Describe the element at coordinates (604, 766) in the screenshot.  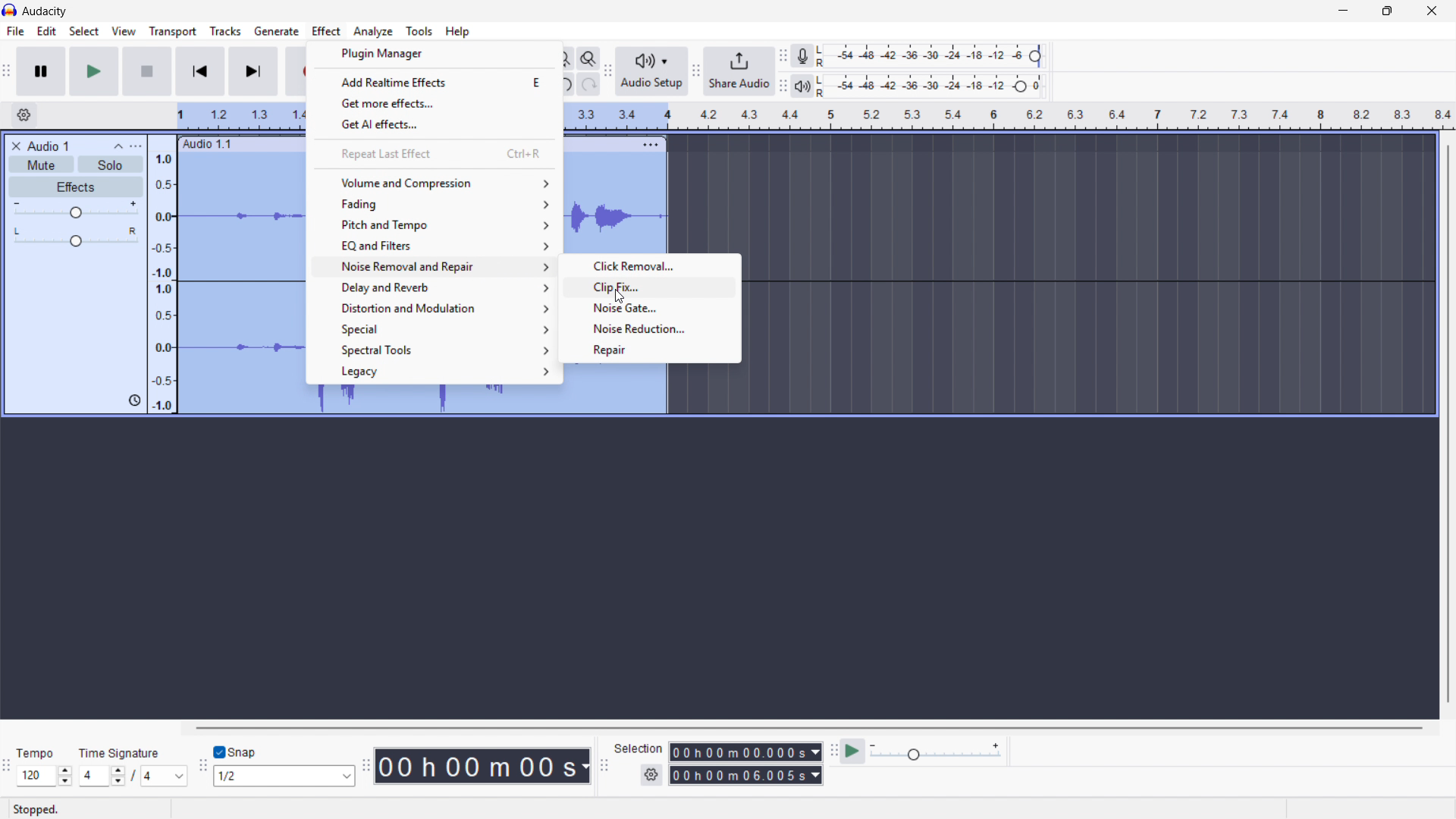
I see `selection toolbar` at that location.